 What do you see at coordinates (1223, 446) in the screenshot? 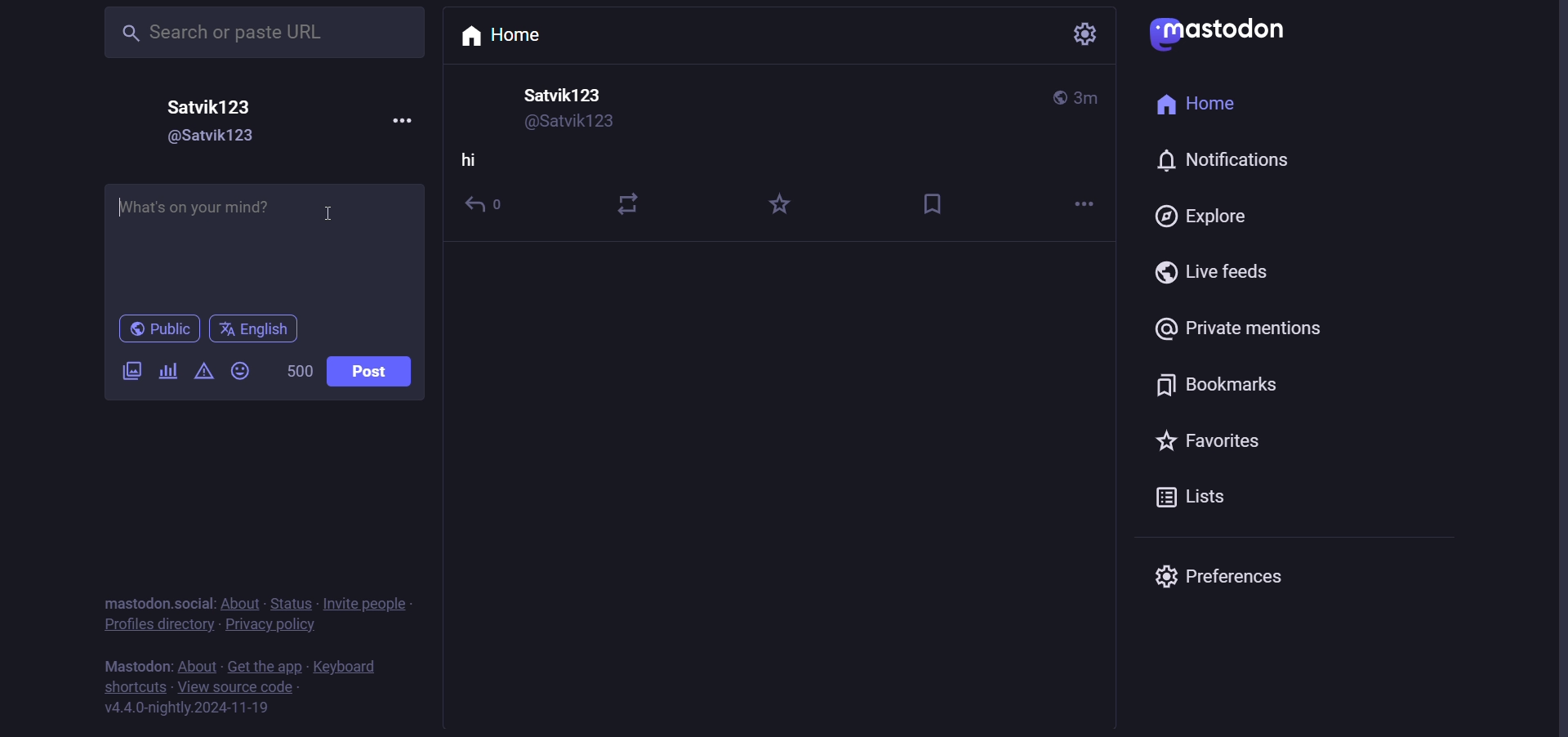
I see `favorite` at bounding box center [1223, 446].